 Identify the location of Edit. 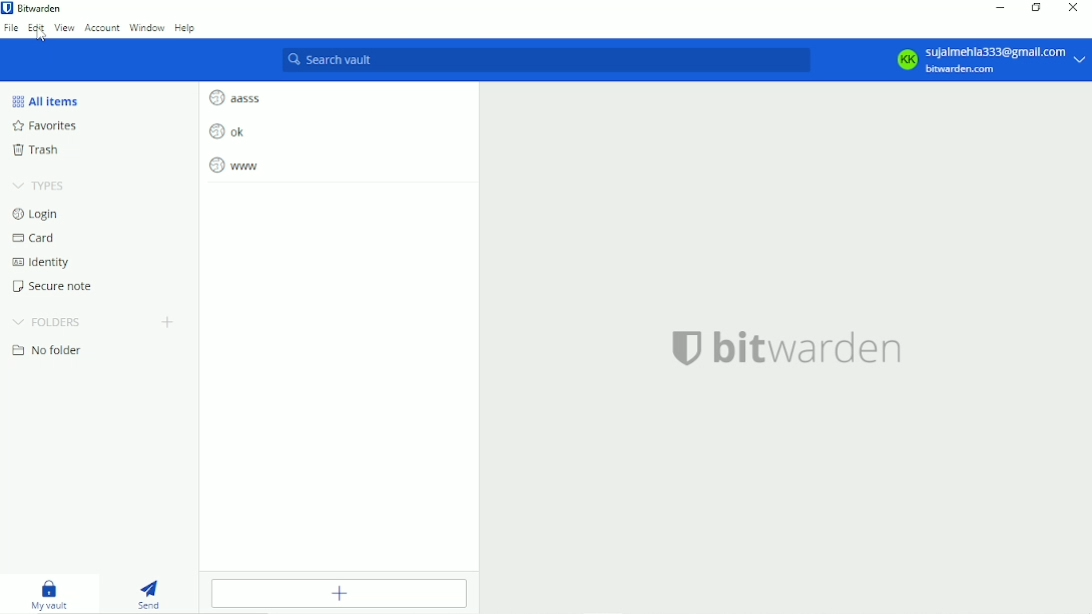
(34, 28).